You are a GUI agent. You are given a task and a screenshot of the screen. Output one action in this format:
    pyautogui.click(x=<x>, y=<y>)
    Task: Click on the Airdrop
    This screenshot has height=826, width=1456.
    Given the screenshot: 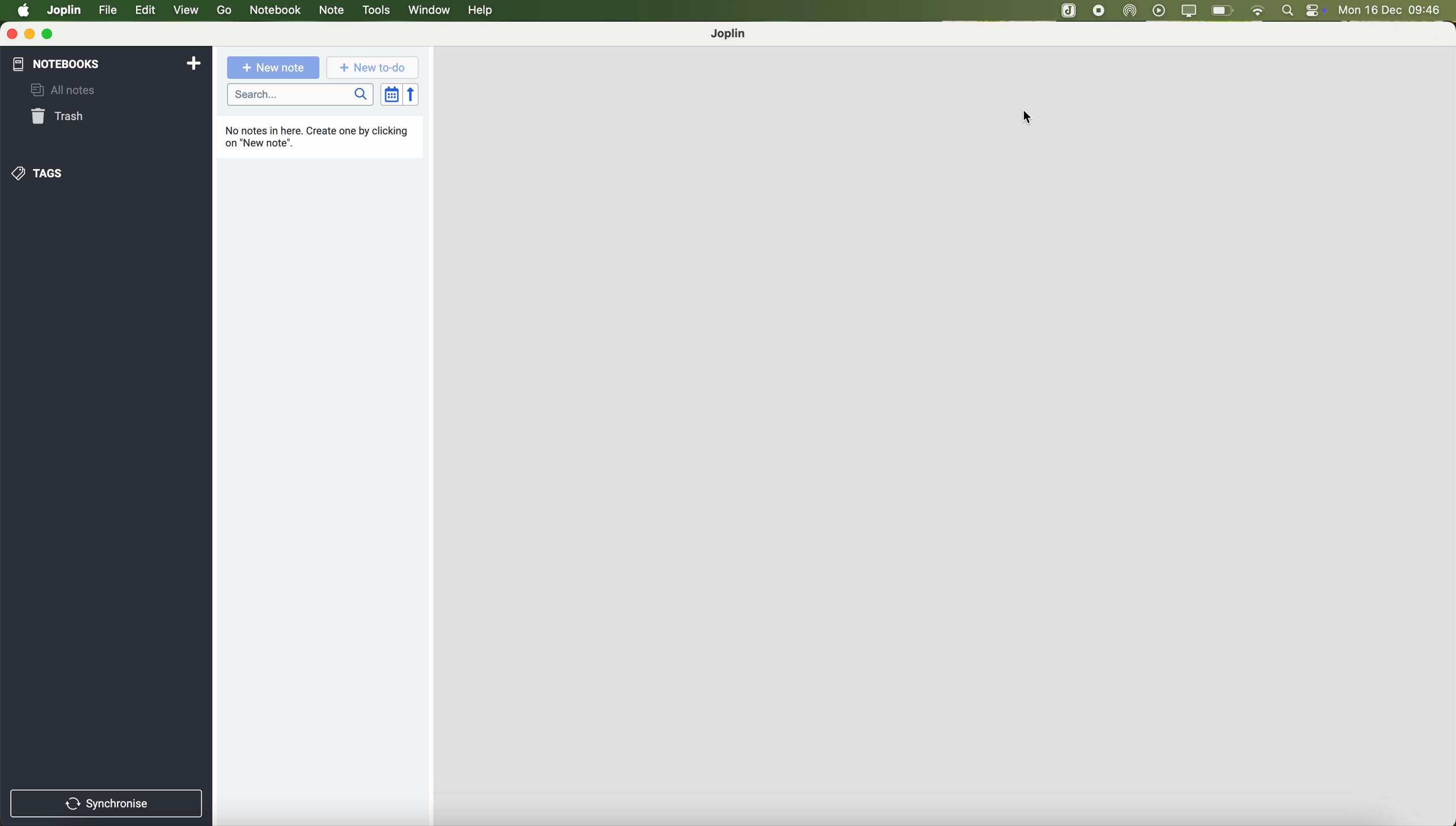 What is the action you would take?
    pyautogui.click(x=1133, y=11)
    